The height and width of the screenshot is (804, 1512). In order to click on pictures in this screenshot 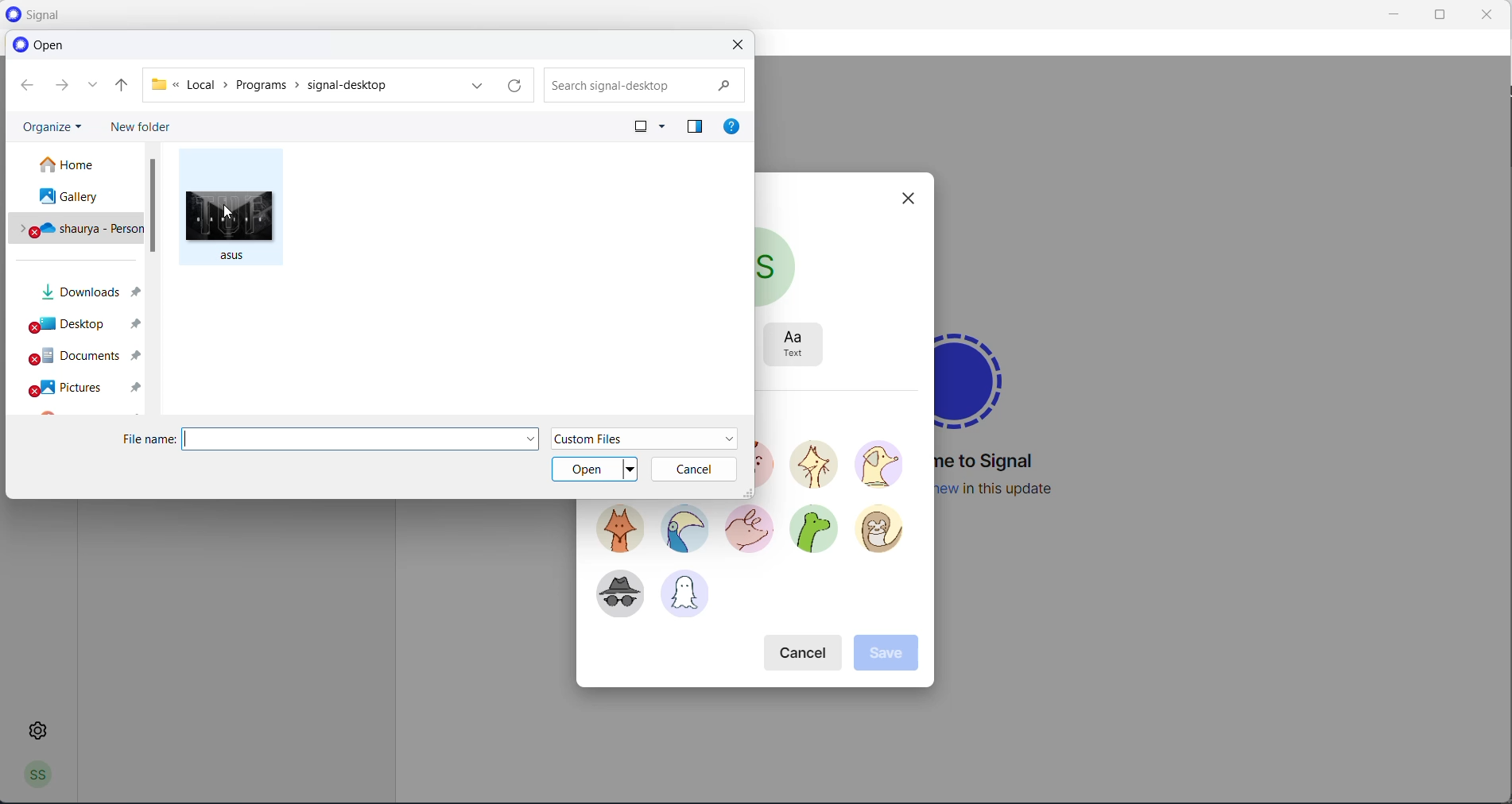, I will do `click(91, 392)`.